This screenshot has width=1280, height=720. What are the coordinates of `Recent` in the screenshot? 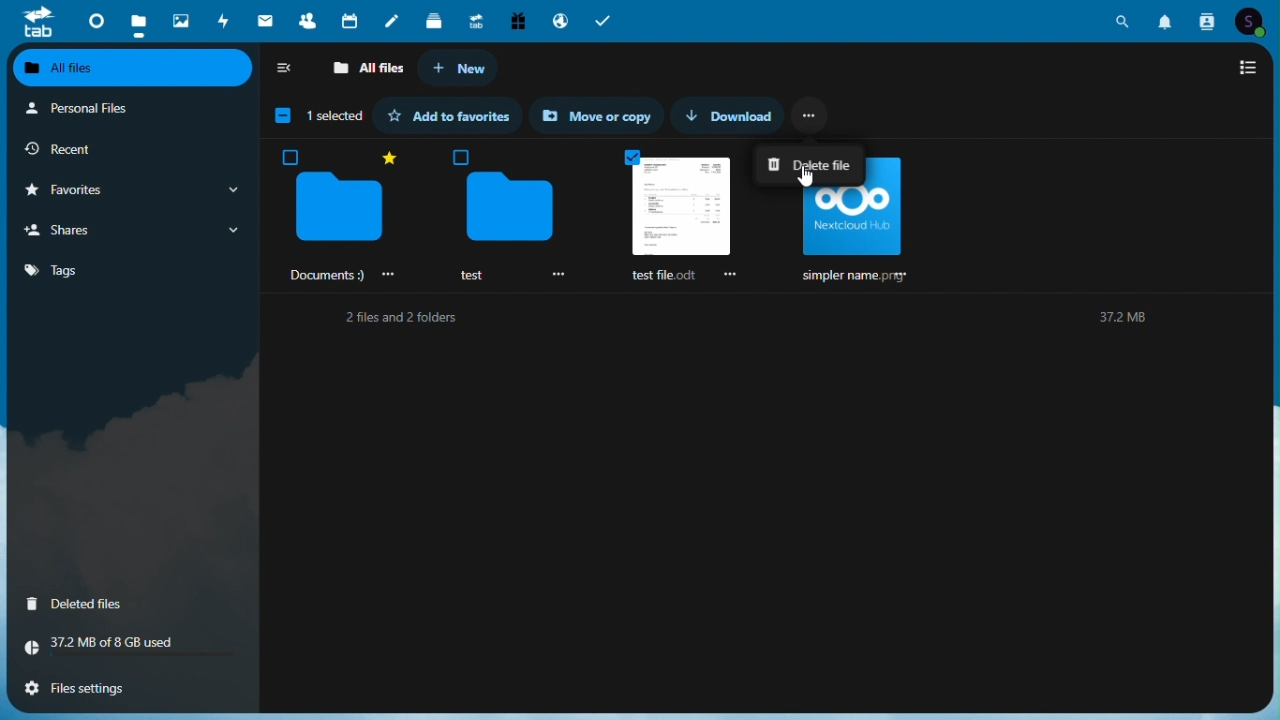 It's located at (131, 151).